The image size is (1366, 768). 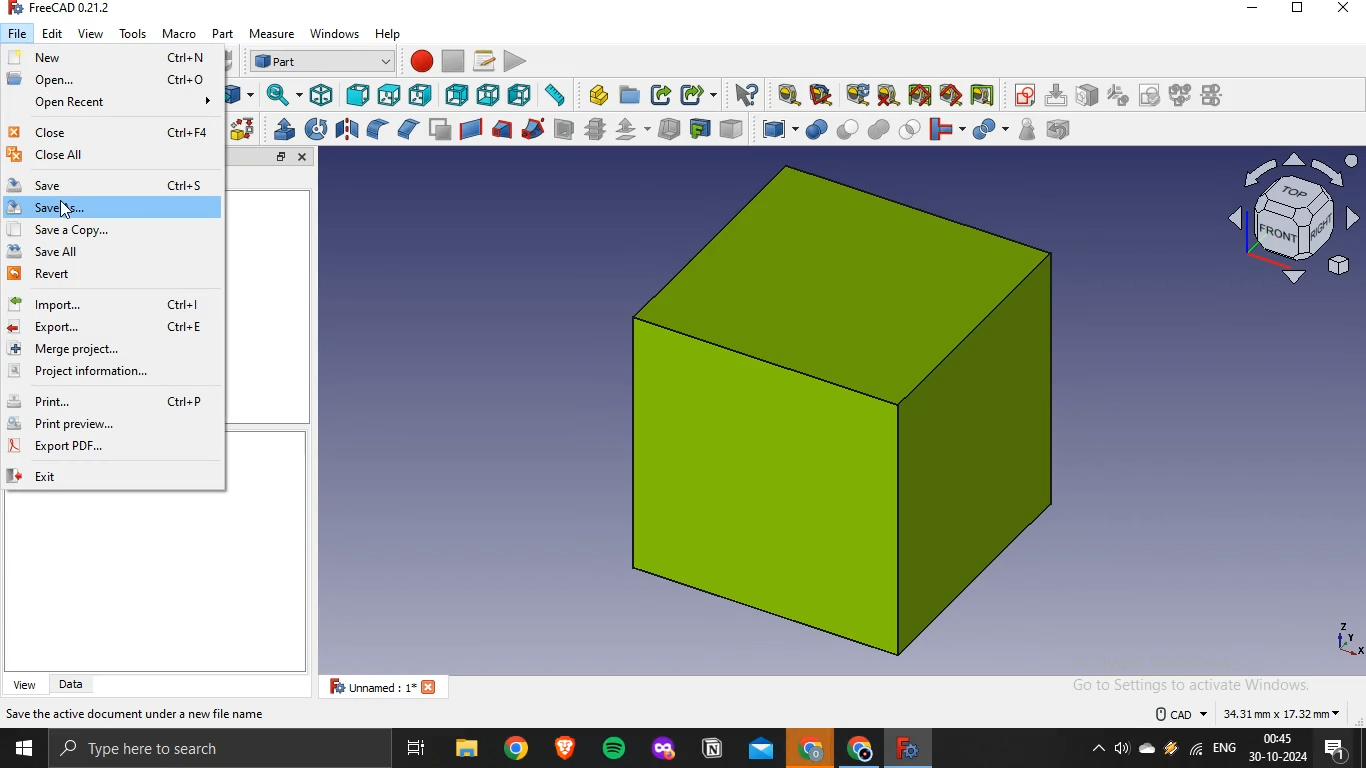 What do you see at coordinates (697, 93) in the screenshot?
I see `make sublink` at bounding box center [697, 93].